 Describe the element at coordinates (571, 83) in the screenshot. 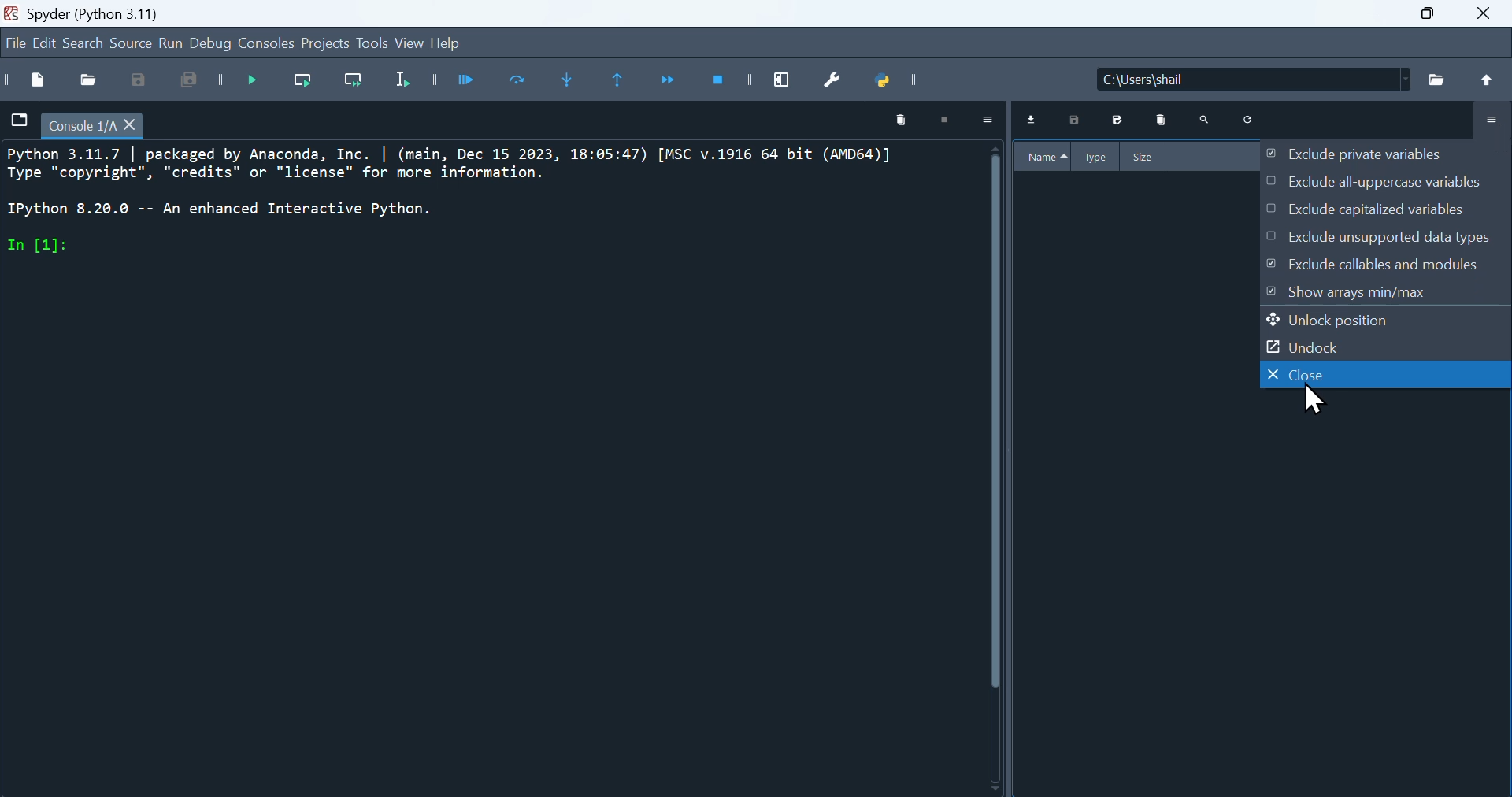

I see `Step into function` at that location.